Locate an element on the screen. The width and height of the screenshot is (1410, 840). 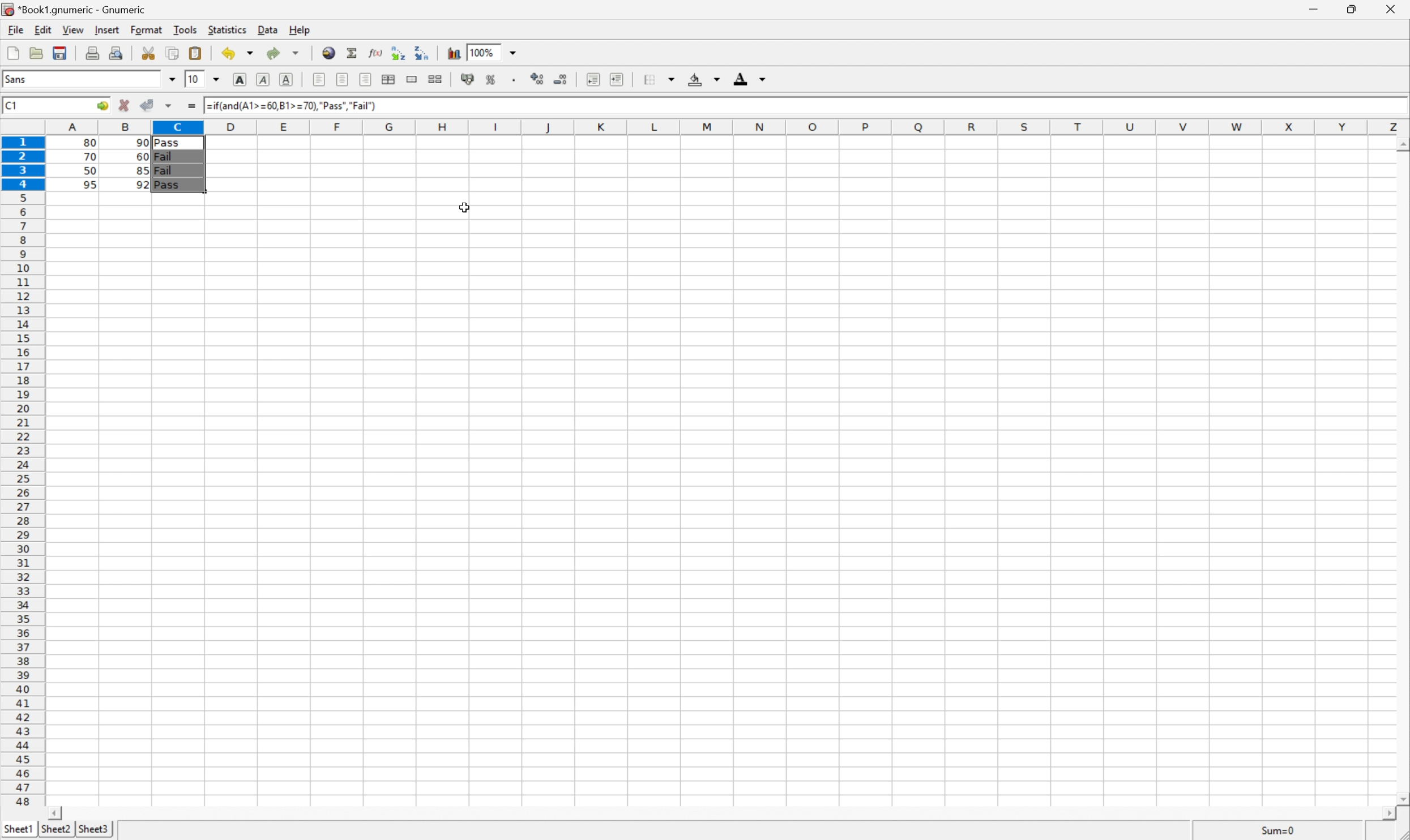
70 is located at coordinates (91, 158).